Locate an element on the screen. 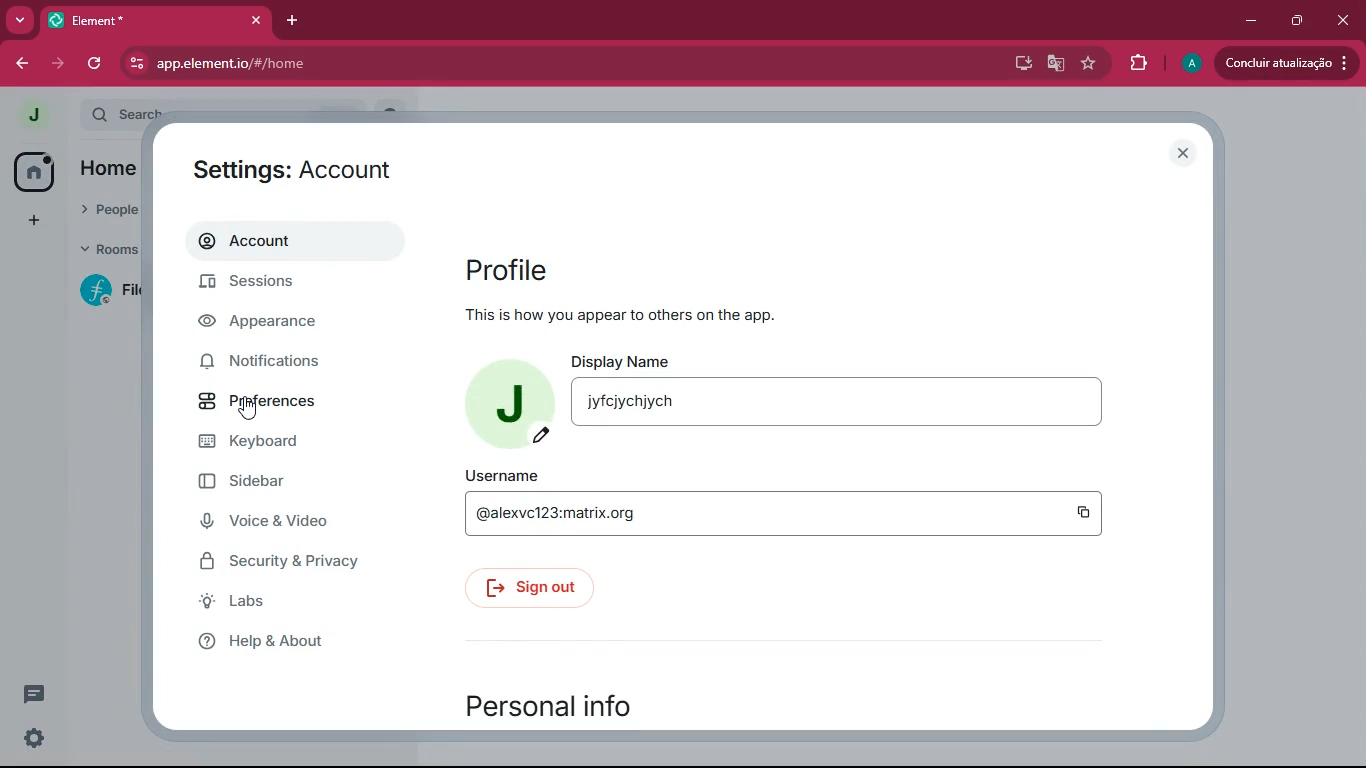  refresh is located at coordinates (99, 64).